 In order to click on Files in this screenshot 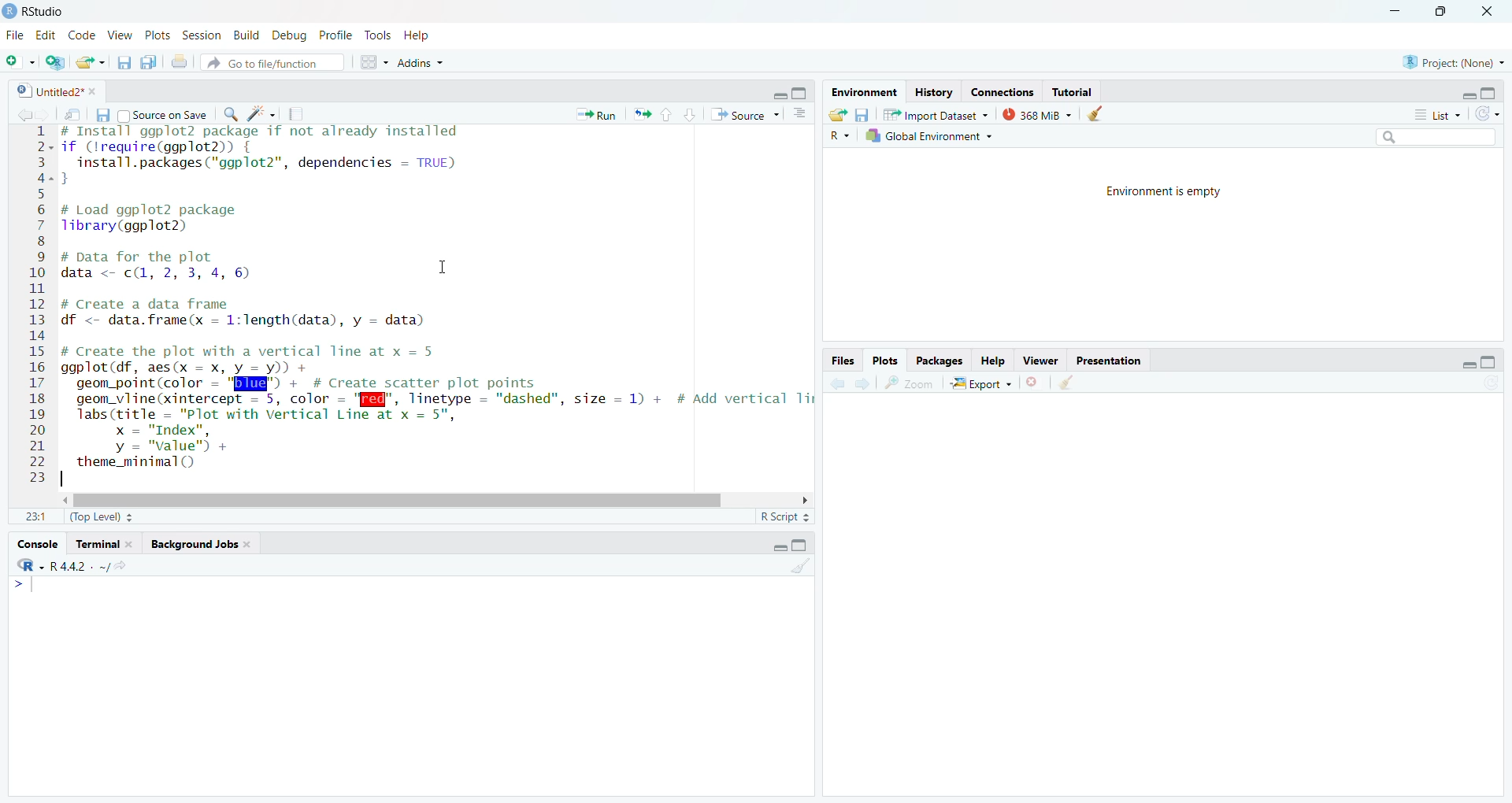, I will do `click(835, 361)`.